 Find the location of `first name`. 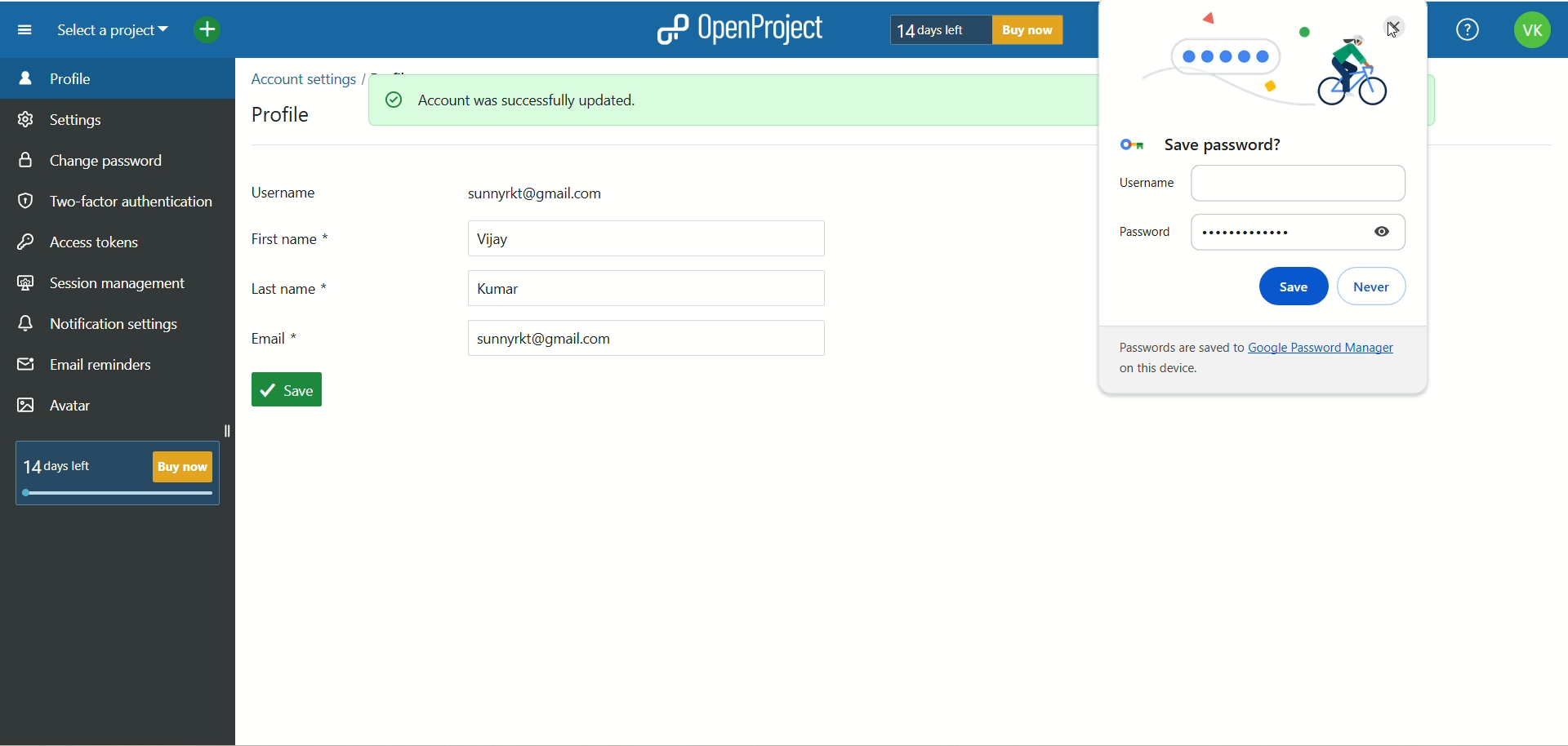

first name is located at coordinates (543, 238).